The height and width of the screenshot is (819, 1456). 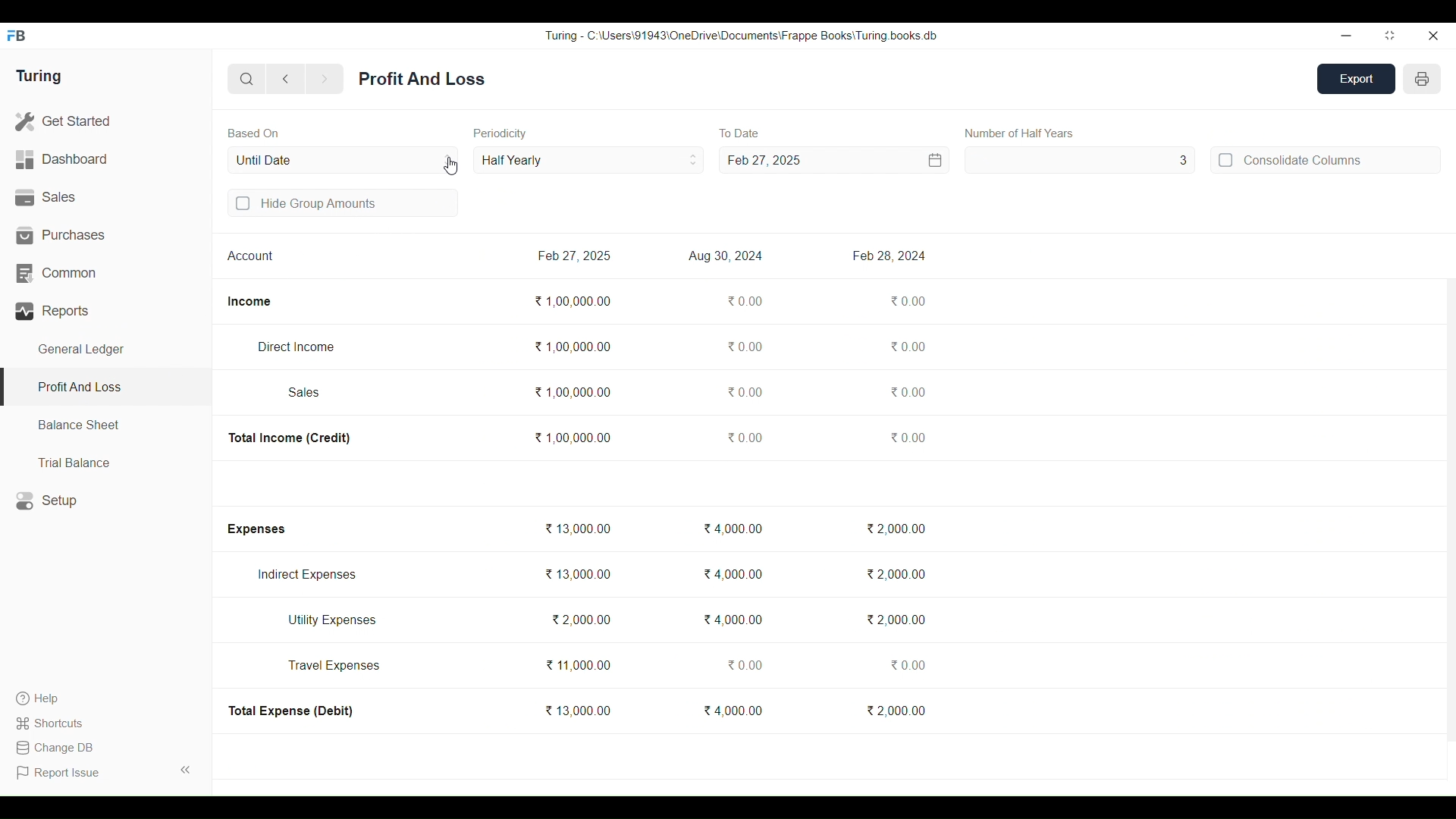 I want to click on Half Yearly, so click(x=588, y=159).